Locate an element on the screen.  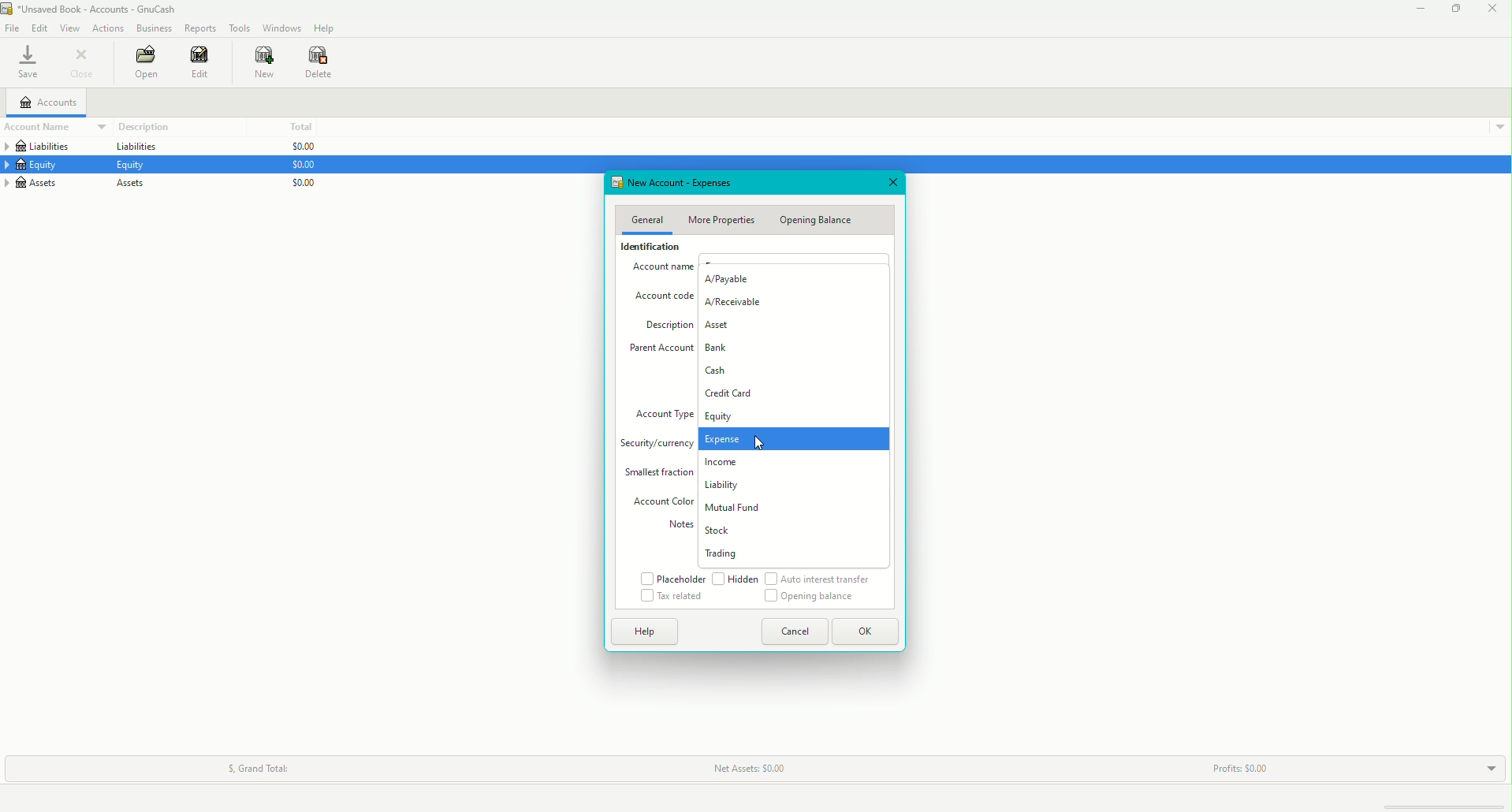
Hidden is located at coordinates (736, 579).